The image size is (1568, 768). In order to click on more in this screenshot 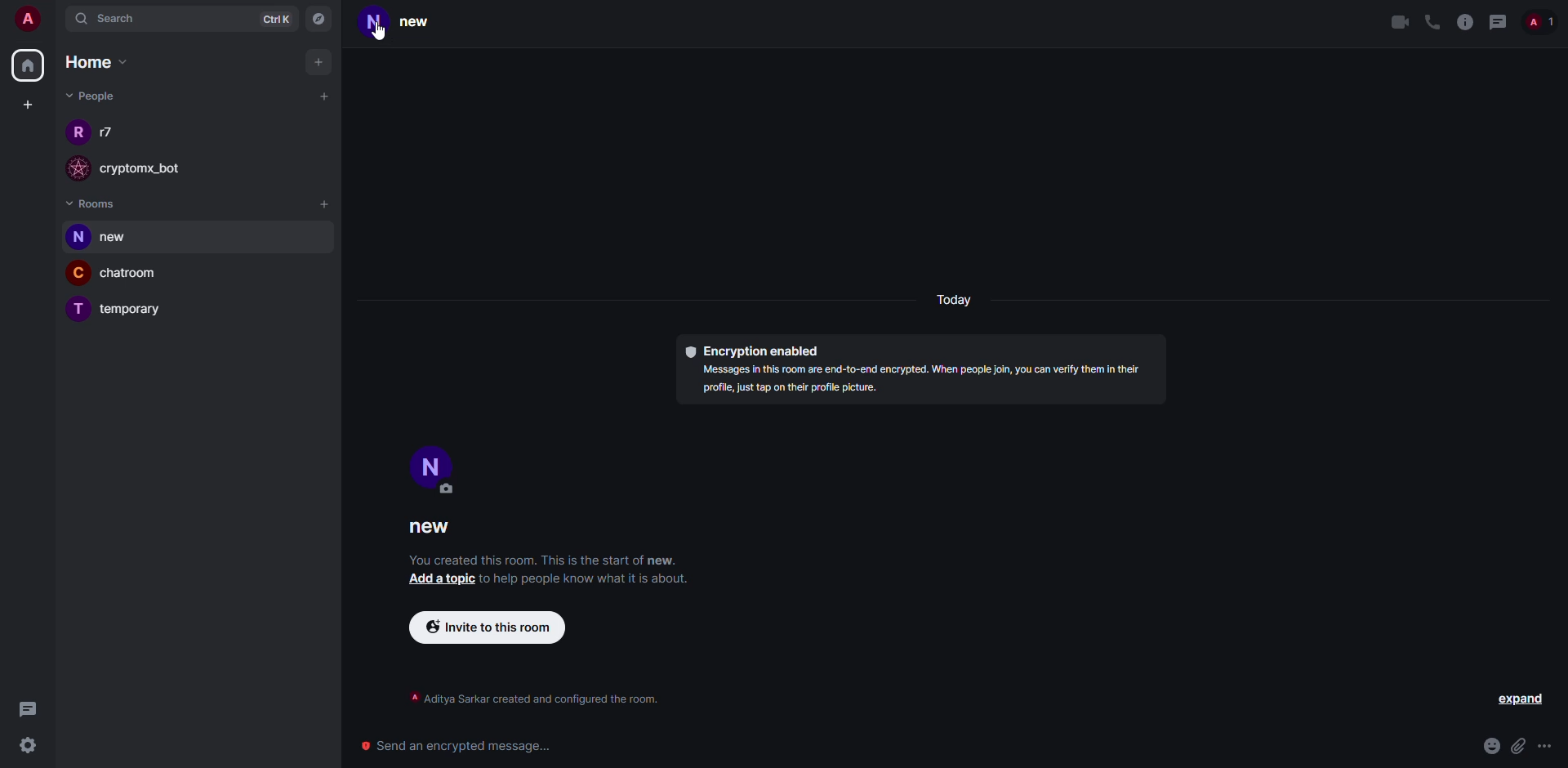, I will do `click(1547, 747)`.